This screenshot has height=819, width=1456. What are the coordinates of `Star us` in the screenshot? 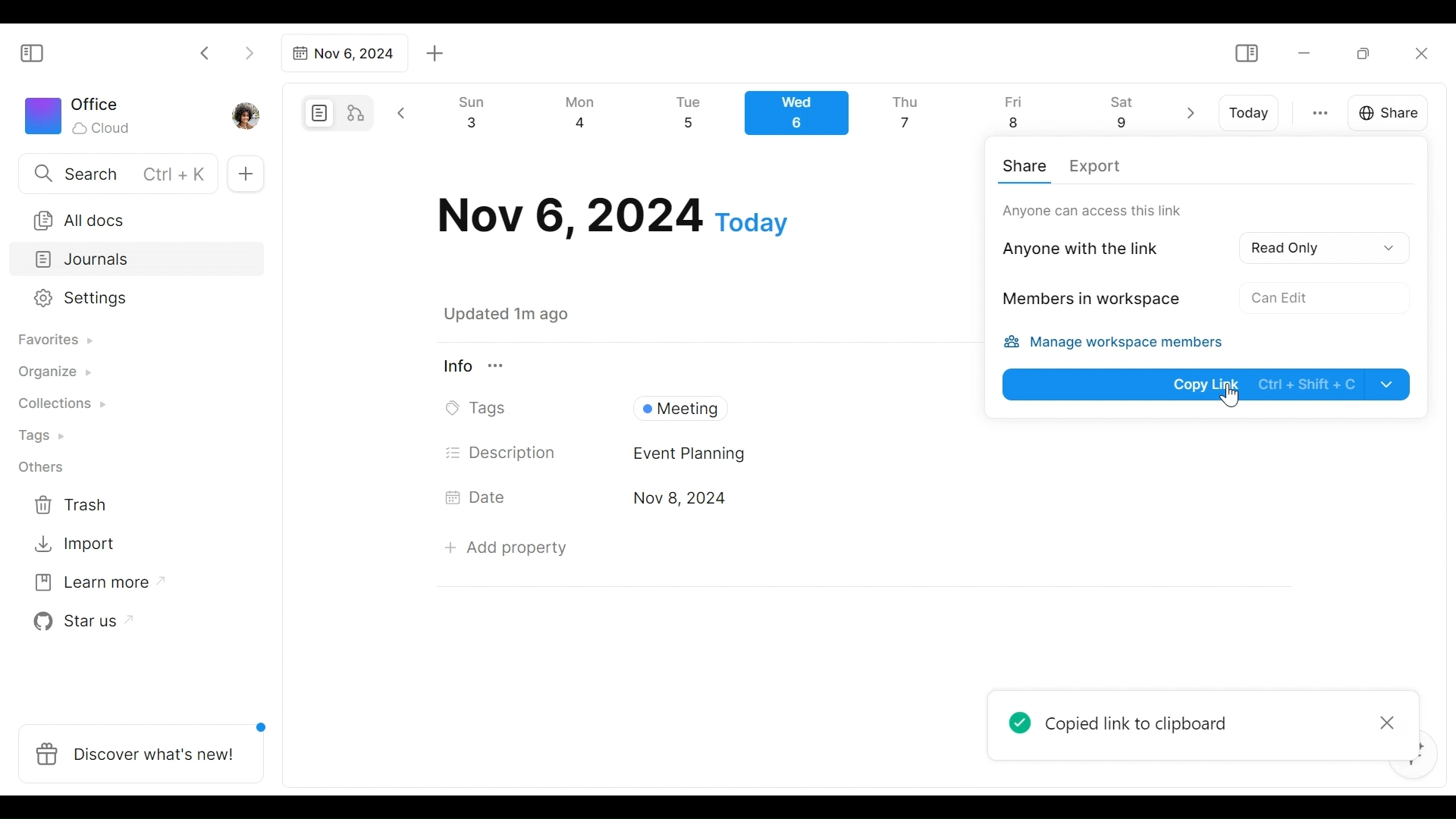 It's located at (79, 622).